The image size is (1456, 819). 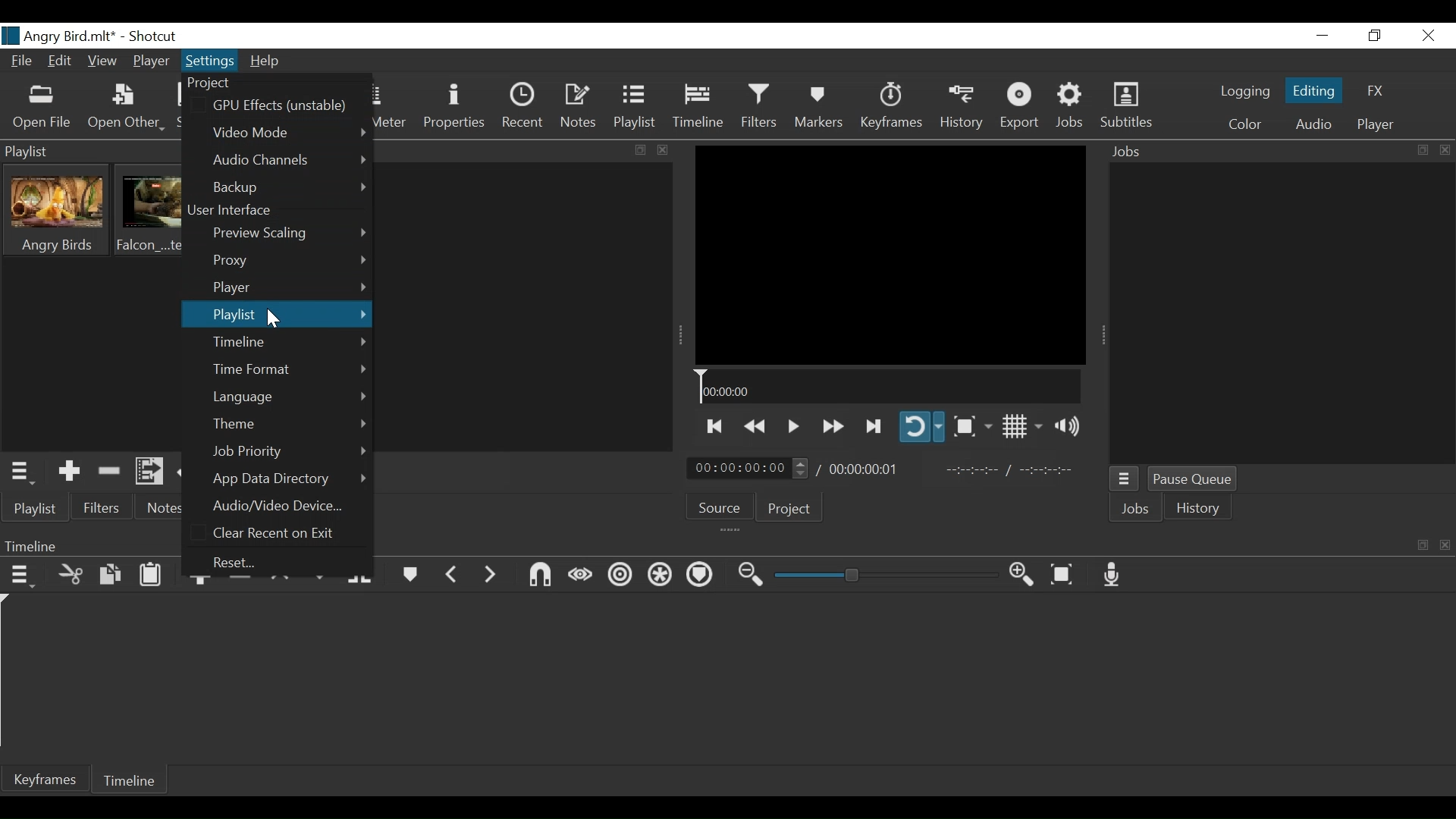 What do you see at coordinates (247, 562) in the screenshot?
I see `Reset` at bounding box center [247, 562].